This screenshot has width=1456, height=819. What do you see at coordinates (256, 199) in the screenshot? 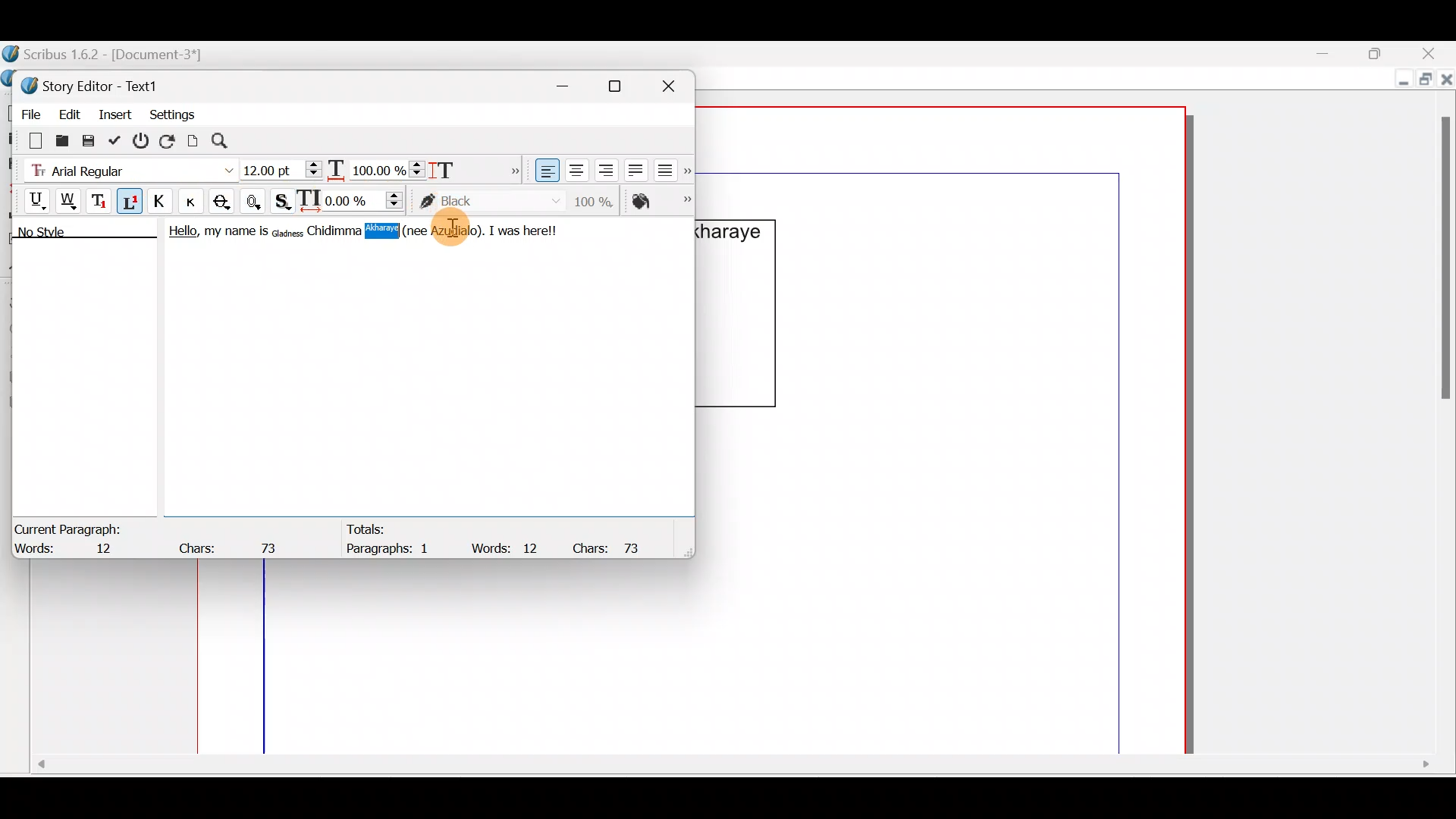
I see `Outline` at bounding box center [256, 199].